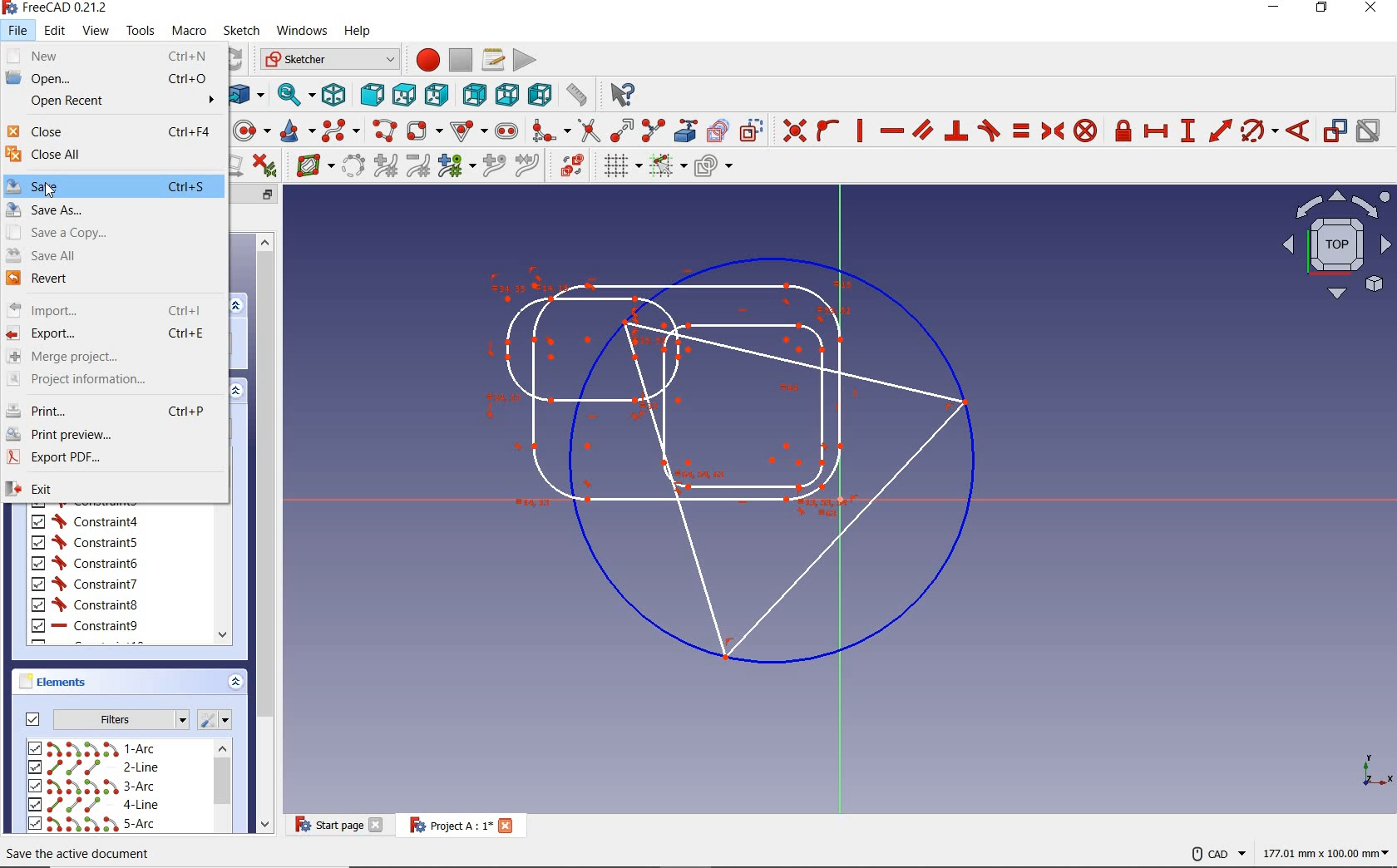  I want to click on create slot, so click(506, 131).